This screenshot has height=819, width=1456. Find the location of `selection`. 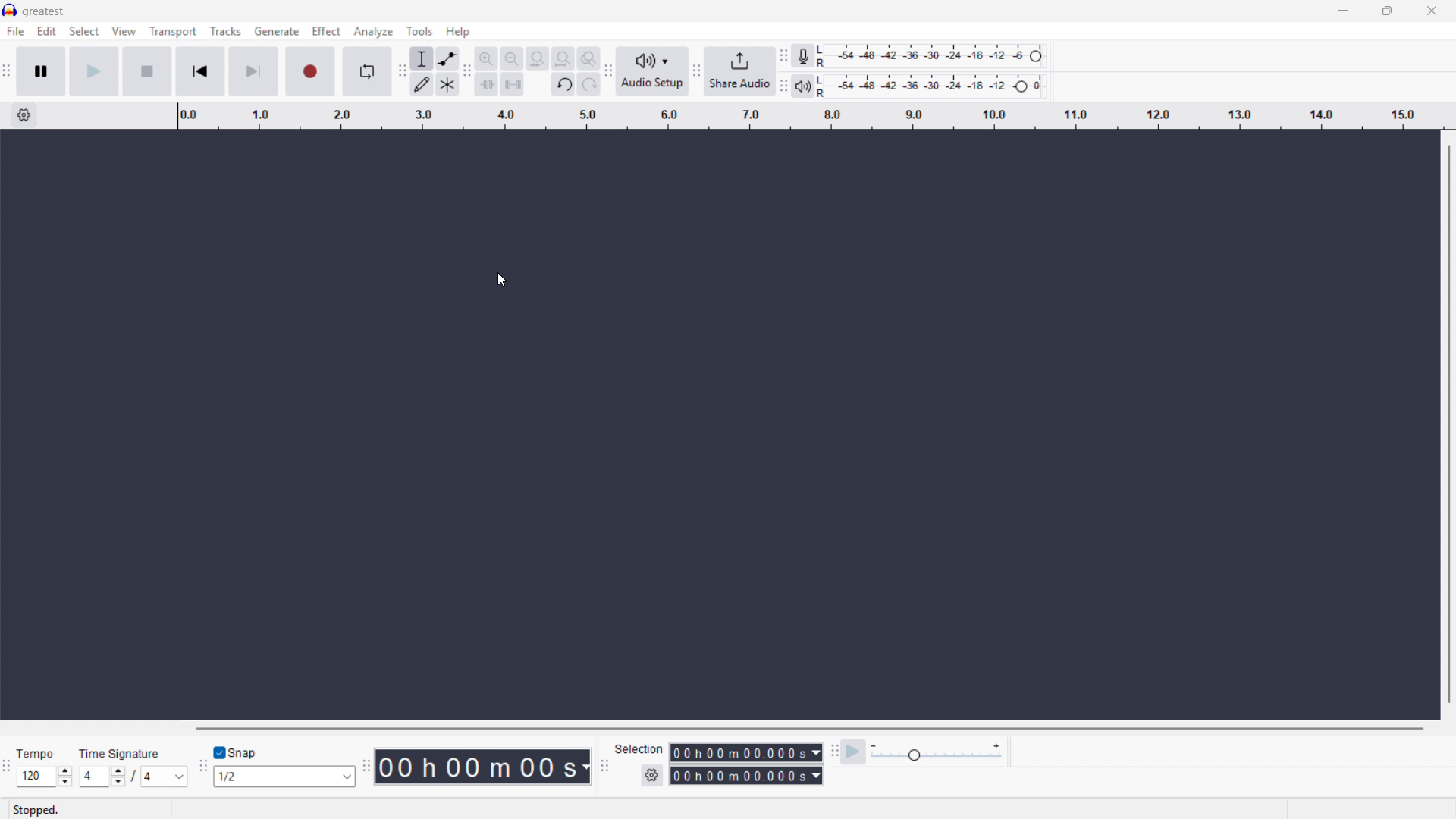

selection is located at coordinates (639, 750).